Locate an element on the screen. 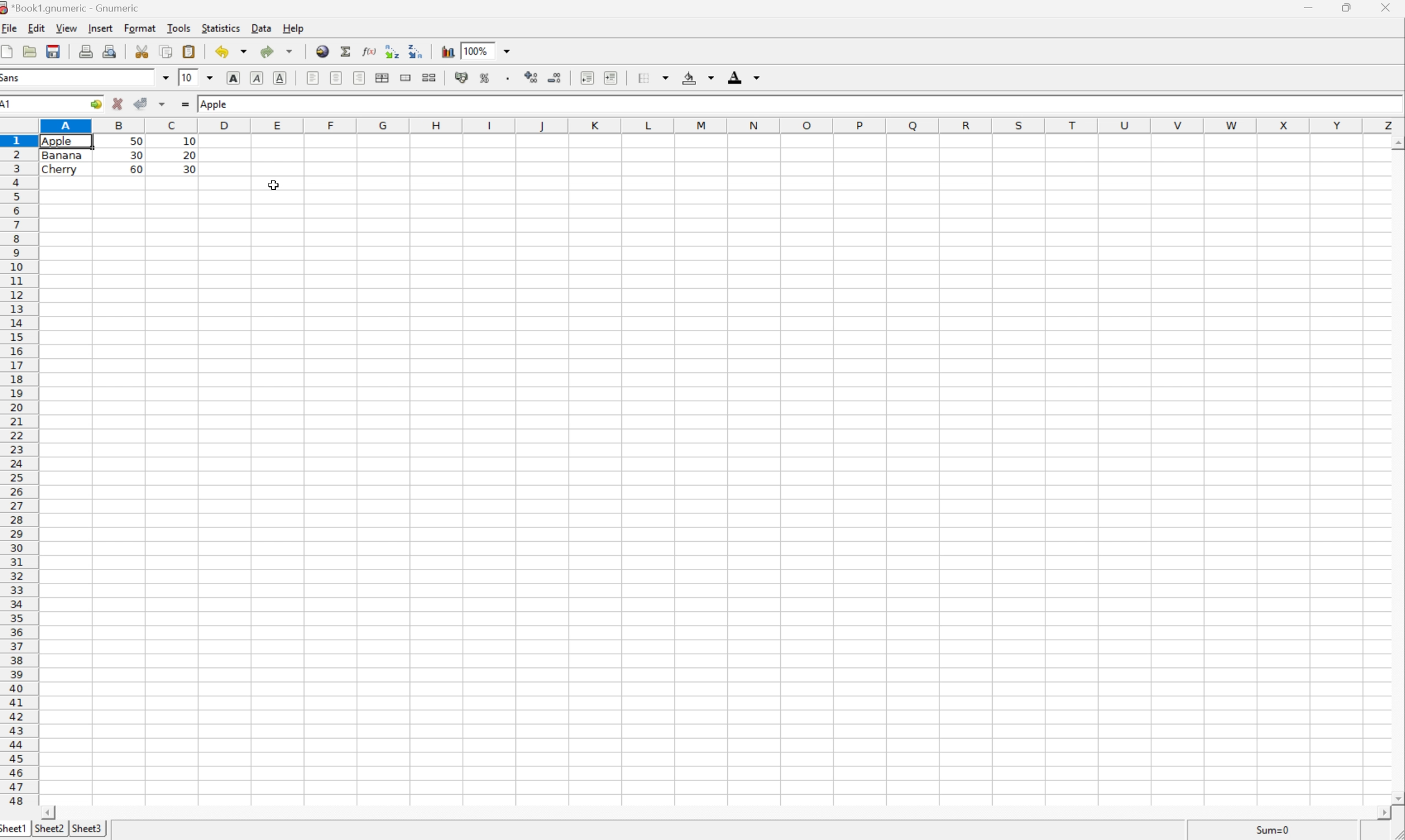 Image resolution: width=1405 pixels, height=840 pixels. increase indent is located at coordinates (611, 77).